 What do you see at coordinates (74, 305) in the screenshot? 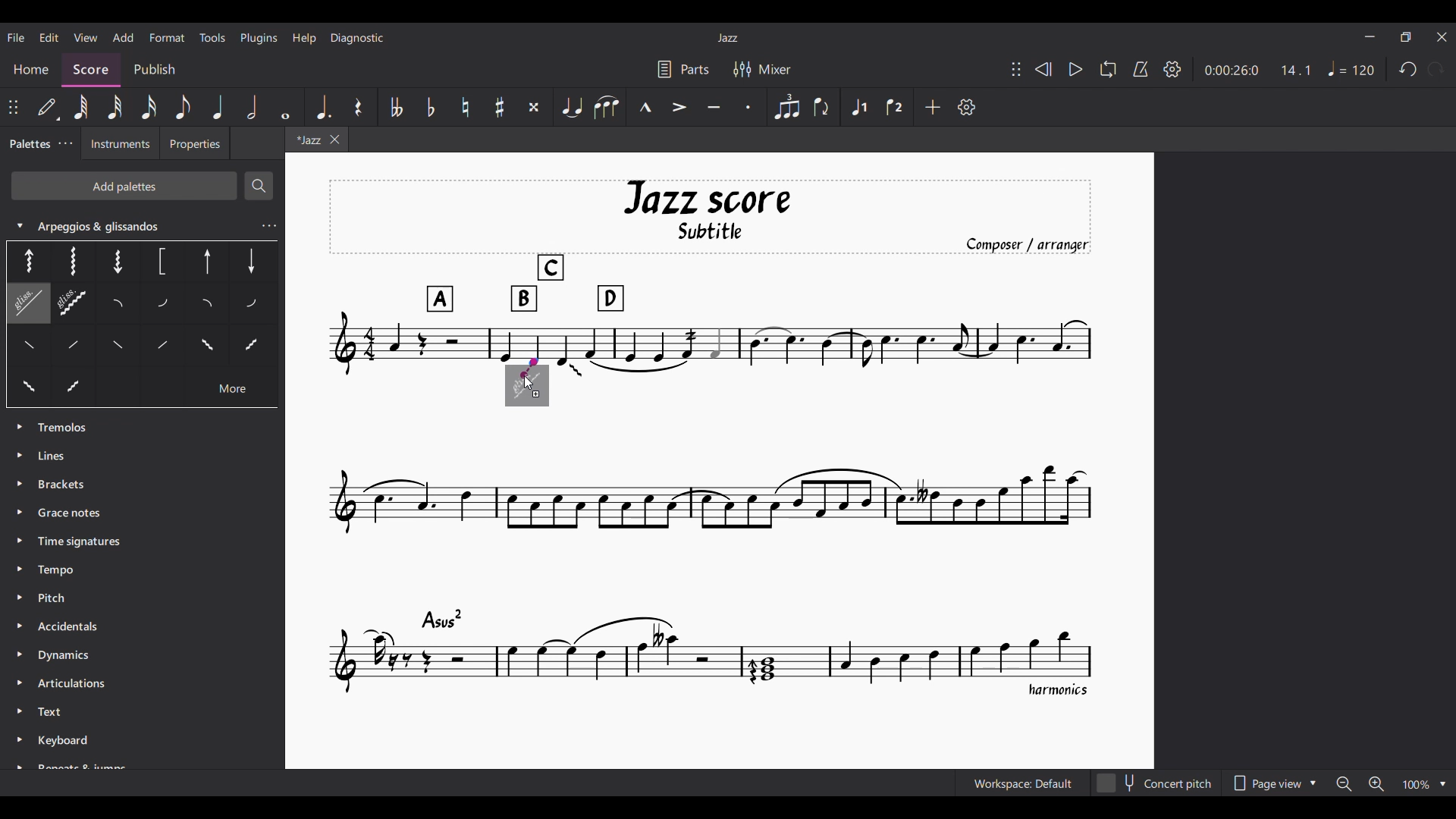
I see `Palate 8` at bounding box center [74, 305].